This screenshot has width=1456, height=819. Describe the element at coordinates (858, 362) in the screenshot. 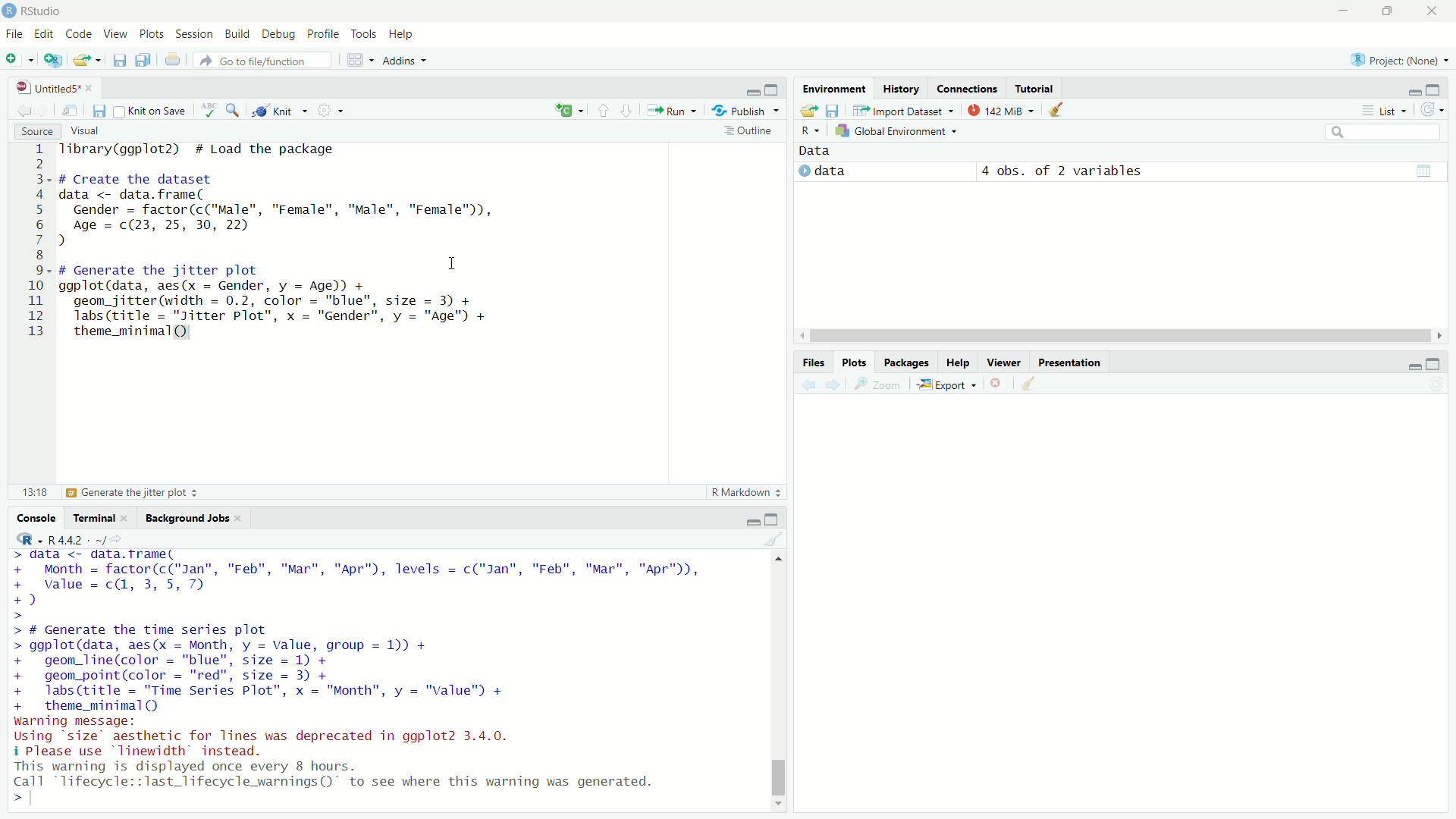

I see `plots` at that location.